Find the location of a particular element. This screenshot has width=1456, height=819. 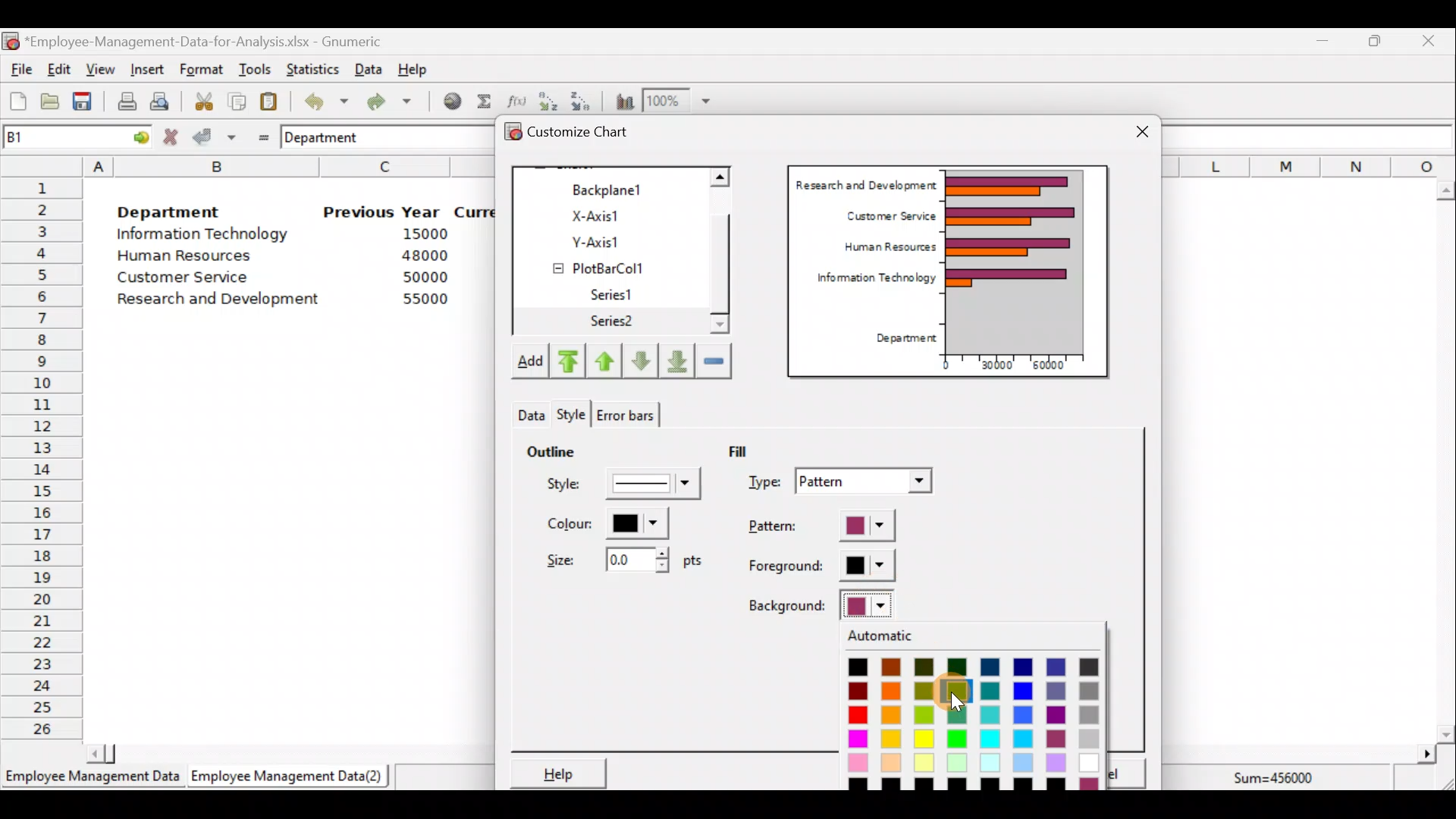

Research and Development is located at coordinates (224, 301).